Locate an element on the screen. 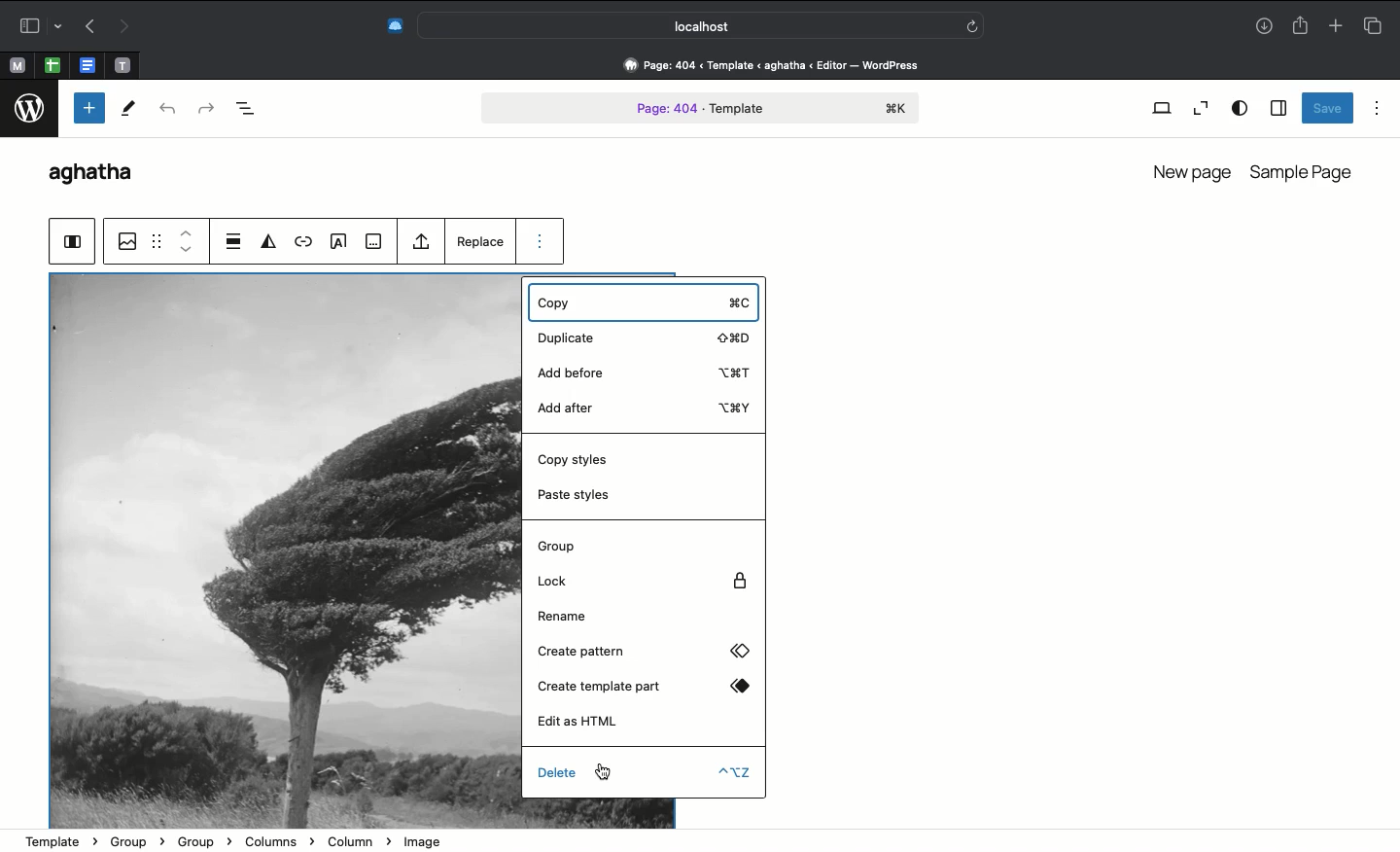 The image size is (1400, 852). Text on image is located at coordinates (337, 242).